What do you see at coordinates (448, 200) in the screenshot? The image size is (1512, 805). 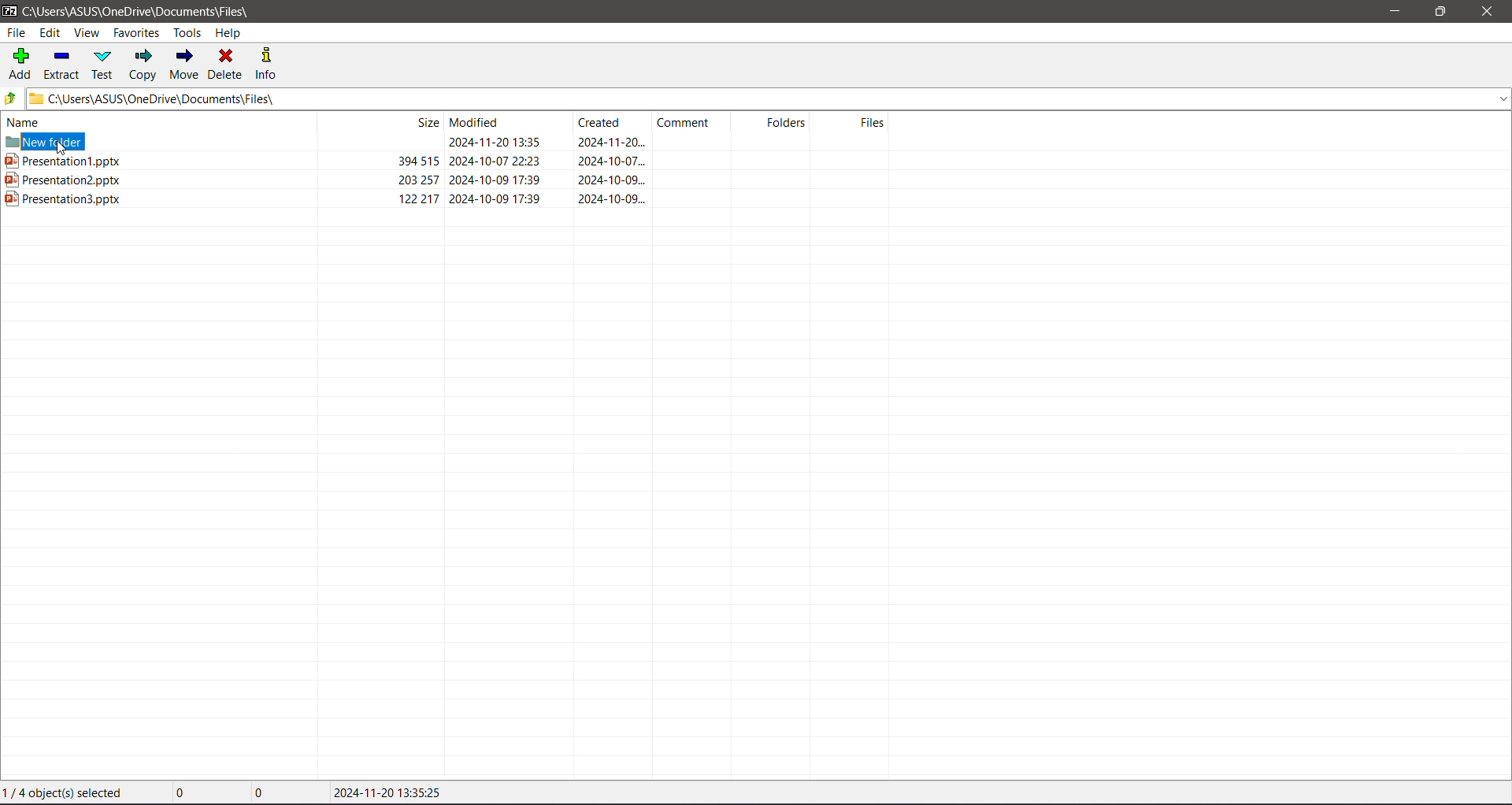 I see `Selected File` at bounding box center [448, 200].